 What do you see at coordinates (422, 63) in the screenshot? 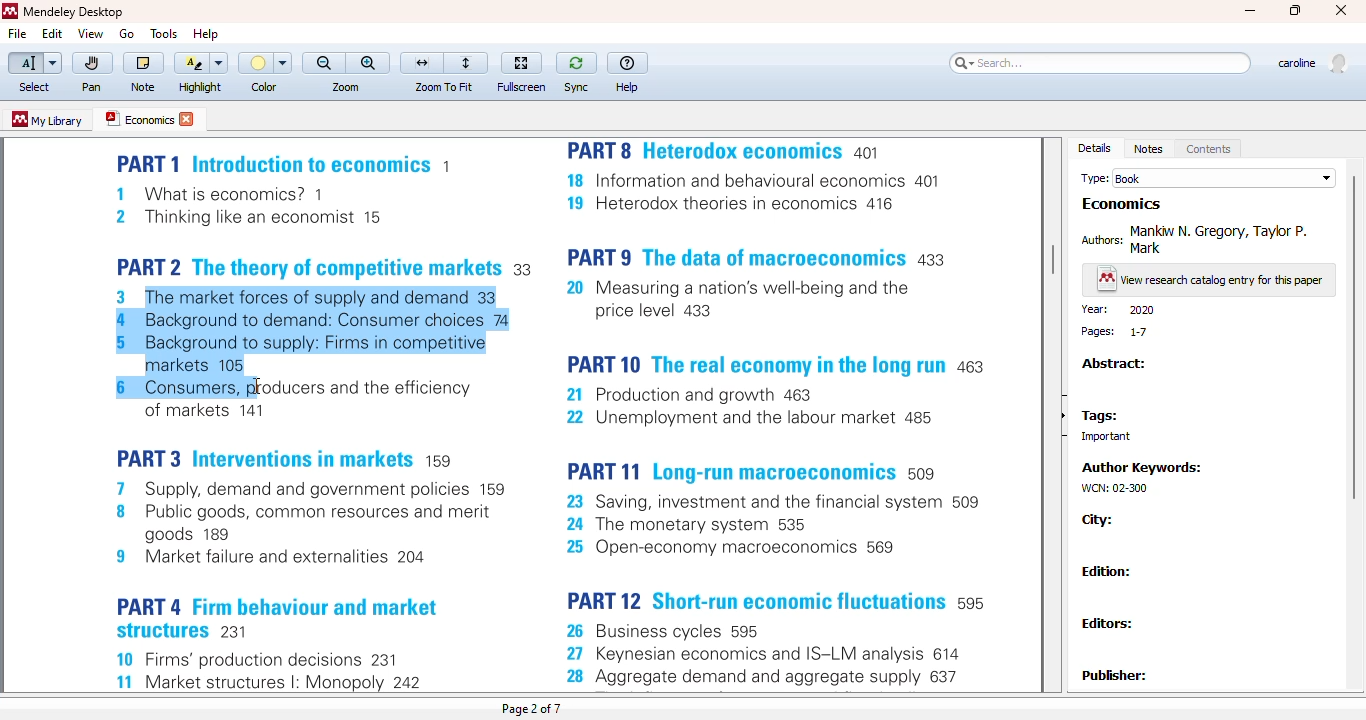
I see `fit to width` at bounding box center [422, 63].